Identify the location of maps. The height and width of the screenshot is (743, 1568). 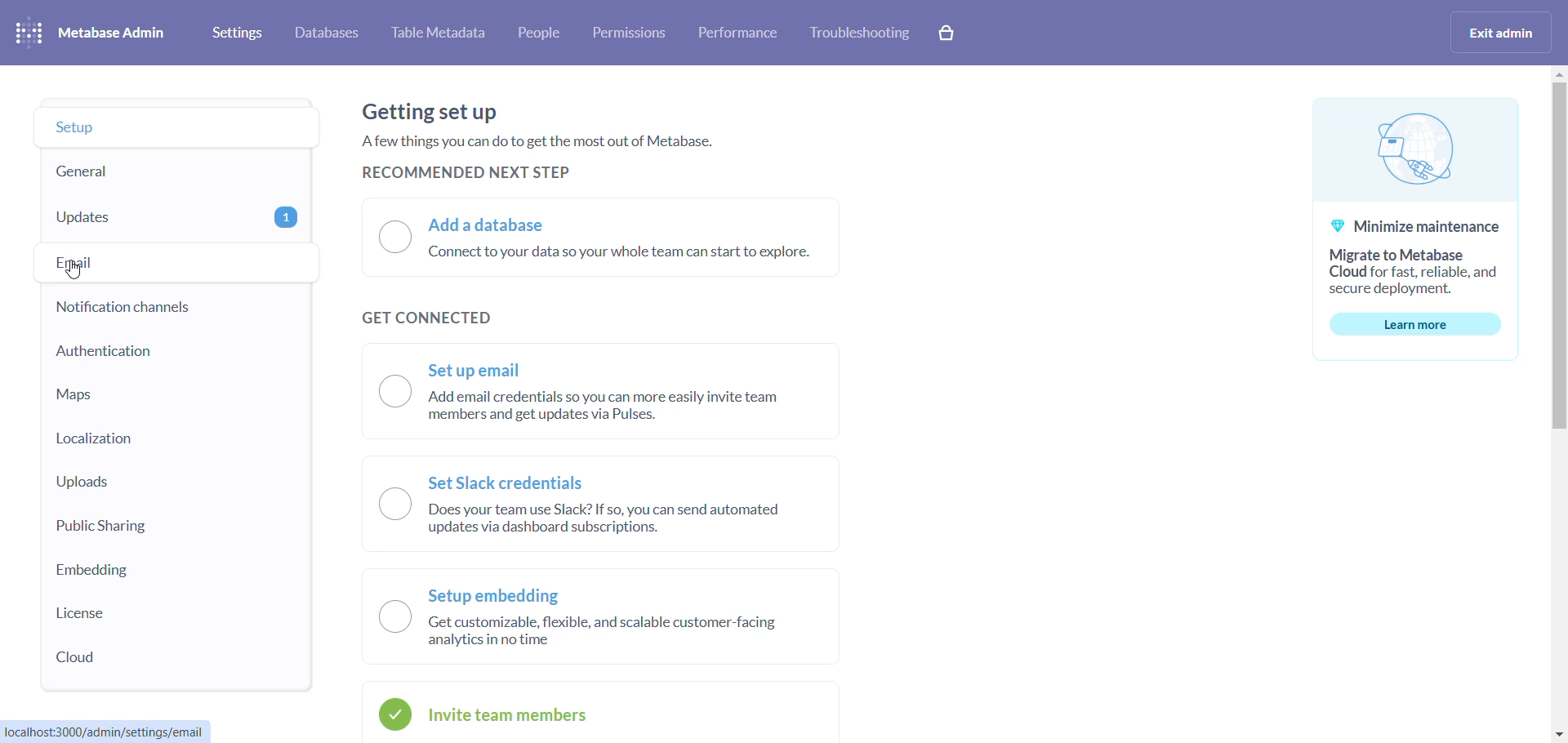
(148, 394).